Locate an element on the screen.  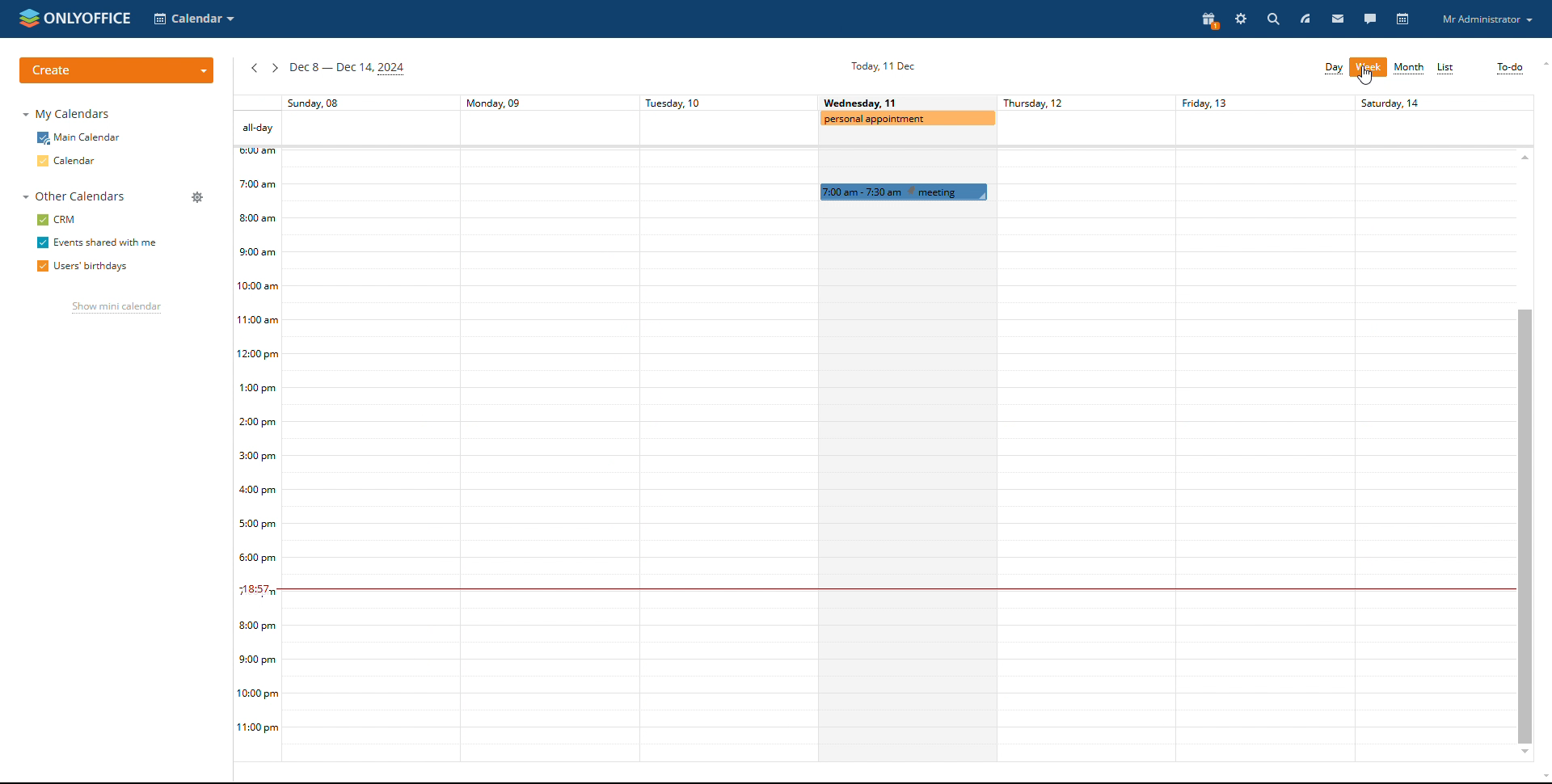
present is located at coordinates (1210, 19).